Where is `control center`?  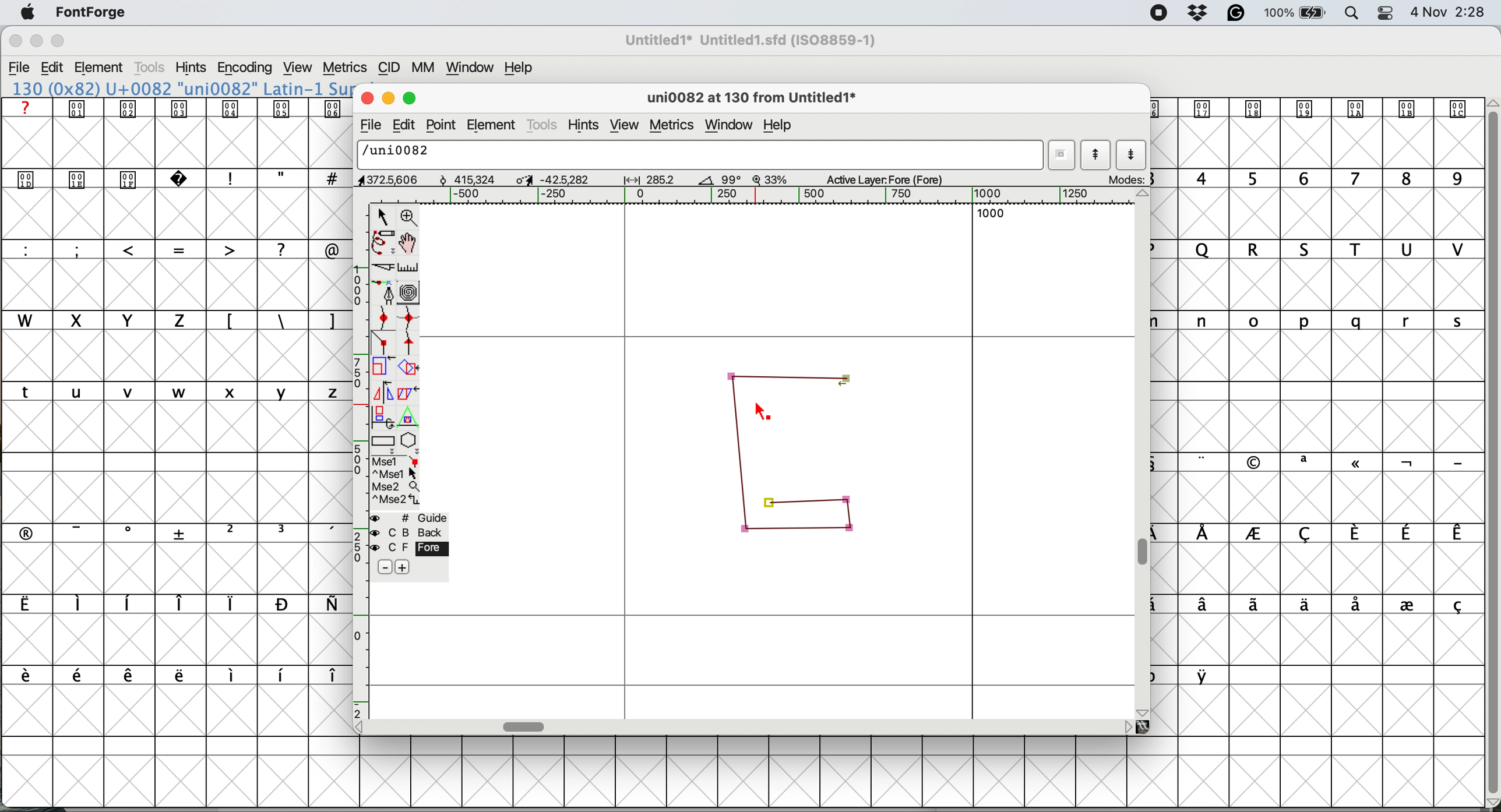
control center is located at coordinates (1384, 13).